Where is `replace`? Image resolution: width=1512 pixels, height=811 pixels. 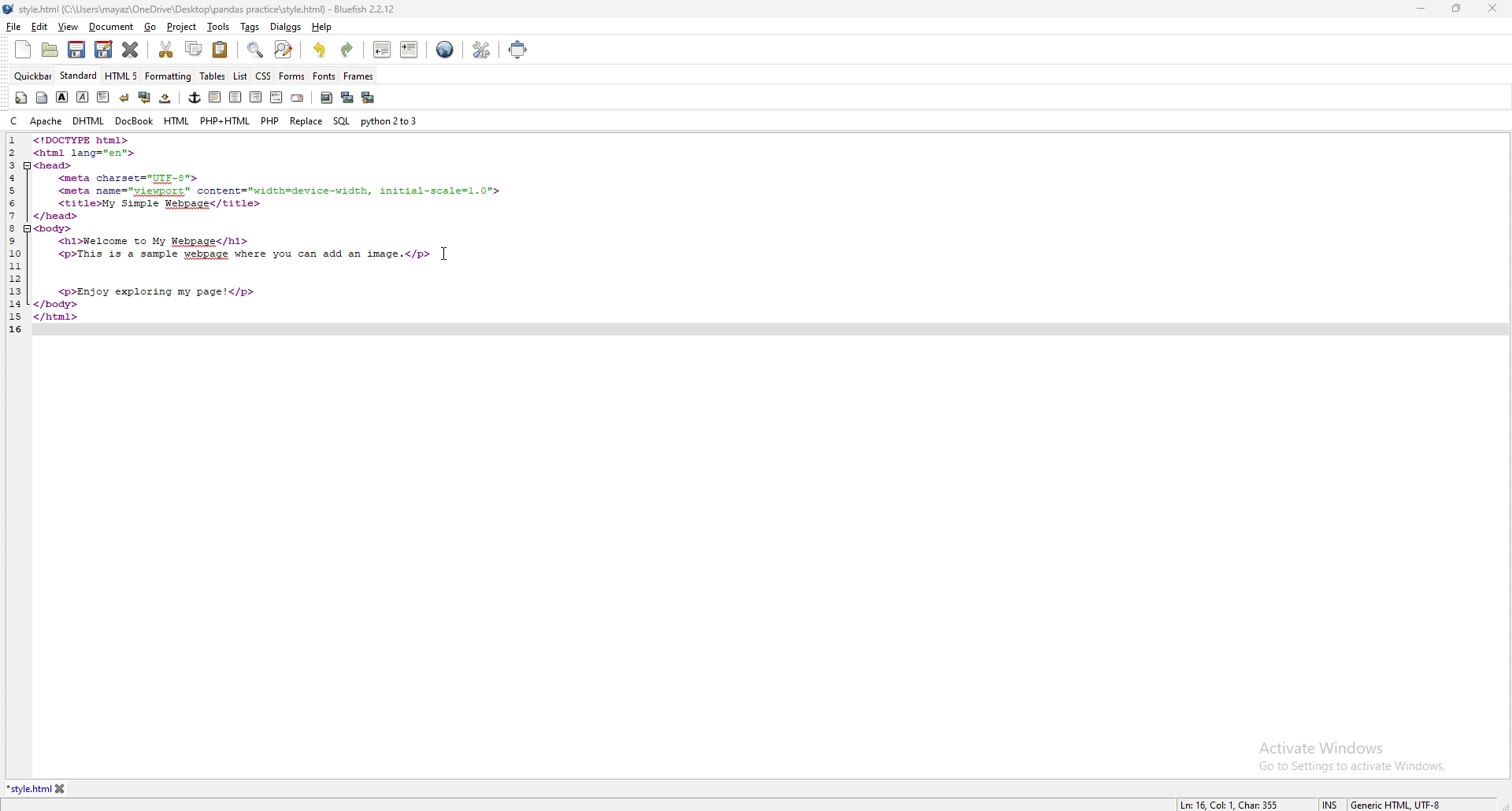
replace is located at coordinates (306, 121).